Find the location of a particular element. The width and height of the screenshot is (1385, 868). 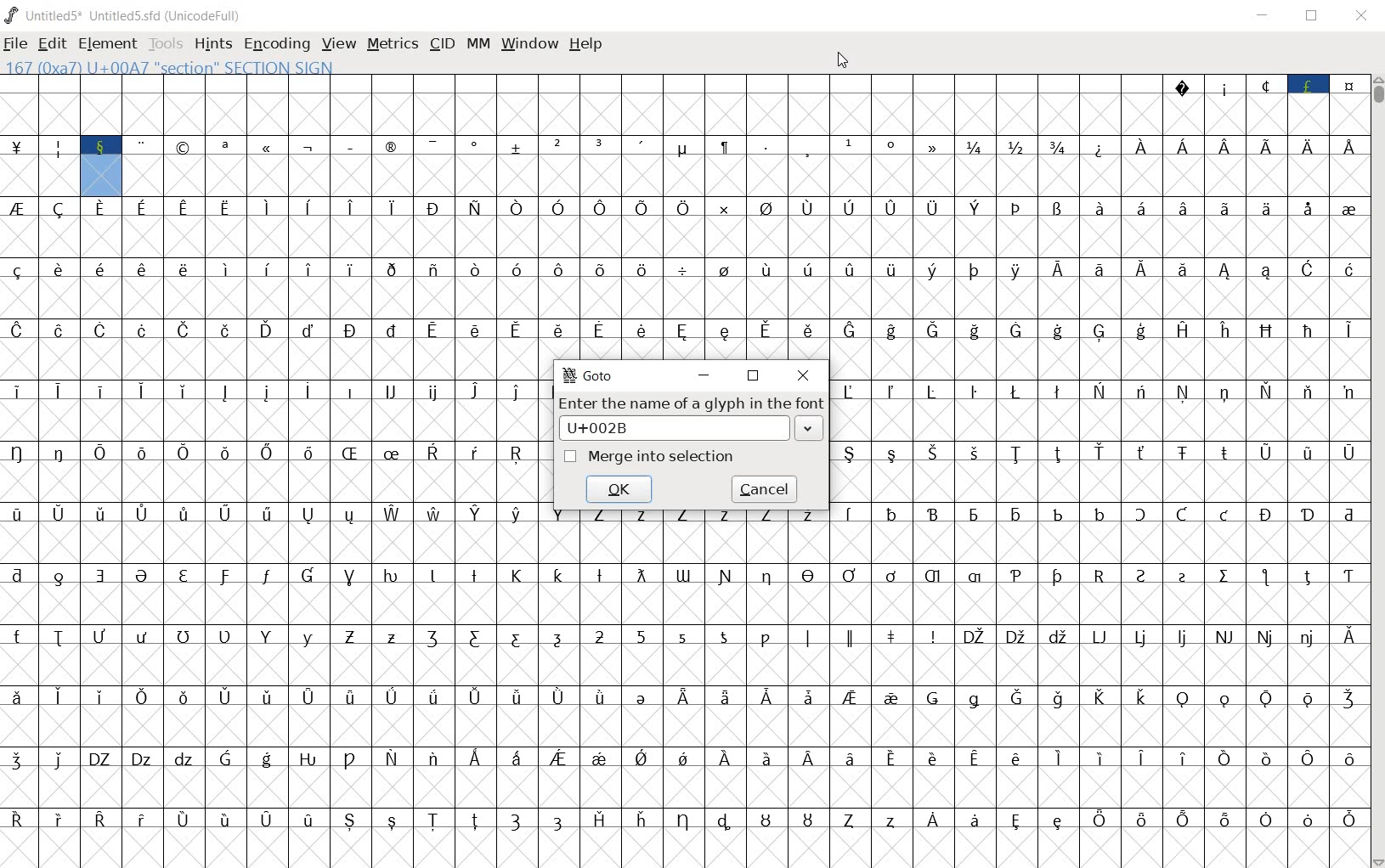

Latin extended characters is located at coordinates (370, 227).